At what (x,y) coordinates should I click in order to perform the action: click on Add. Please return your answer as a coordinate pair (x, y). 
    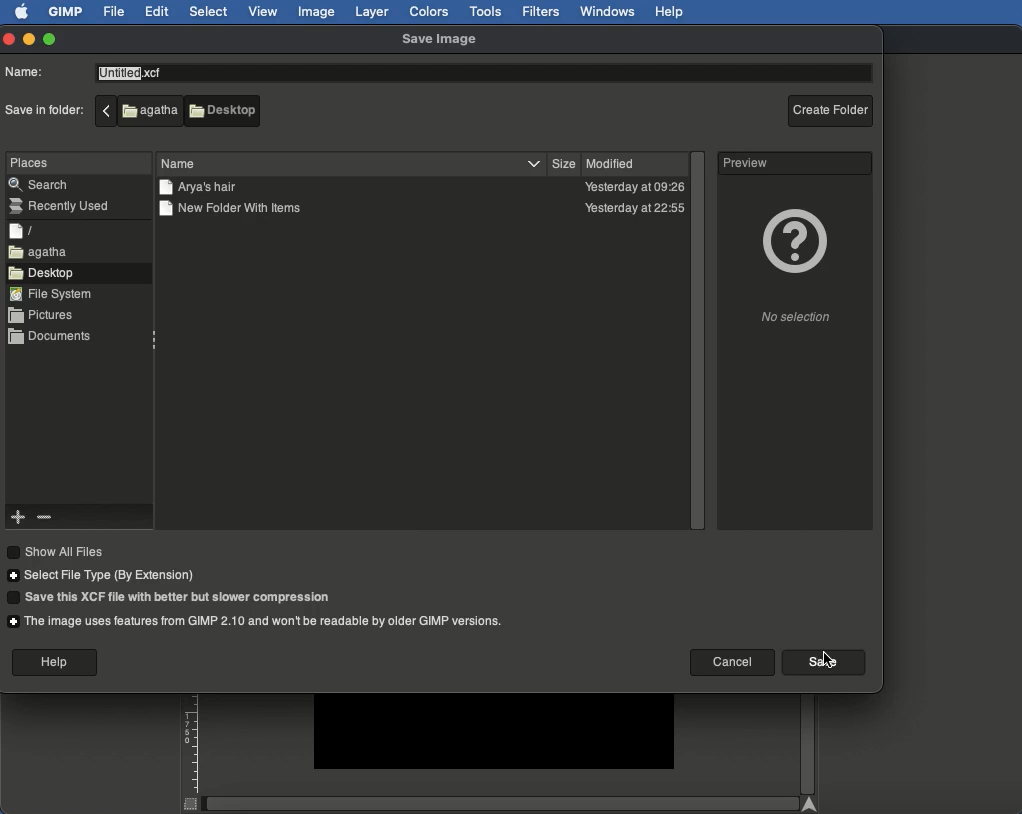
    Looking at the image, I should click on (19, 519).